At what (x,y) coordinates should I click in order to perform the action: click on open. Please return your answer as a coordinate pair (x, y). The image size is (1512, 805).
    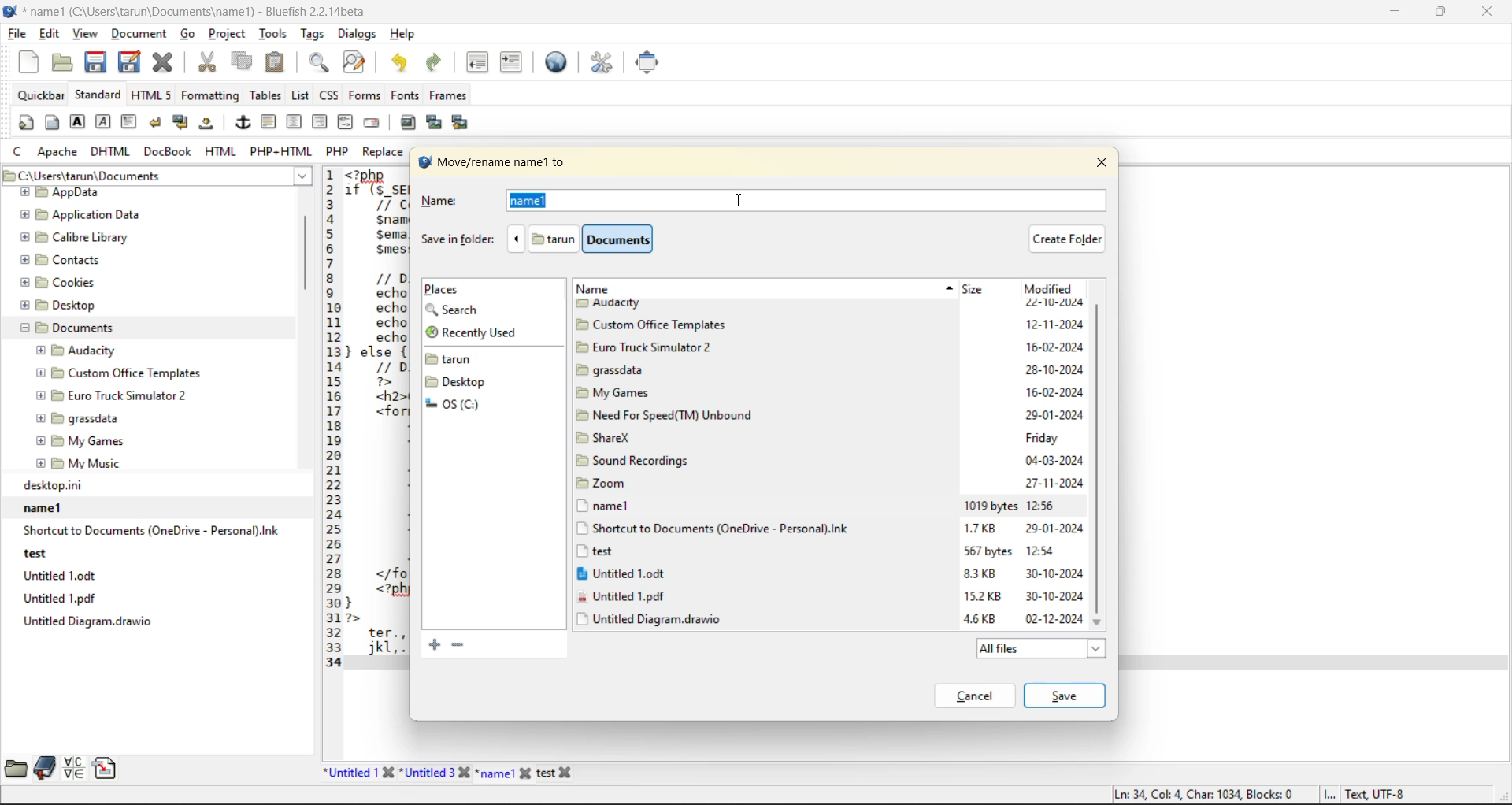
    Looking at the image, I should click on (64, 63).